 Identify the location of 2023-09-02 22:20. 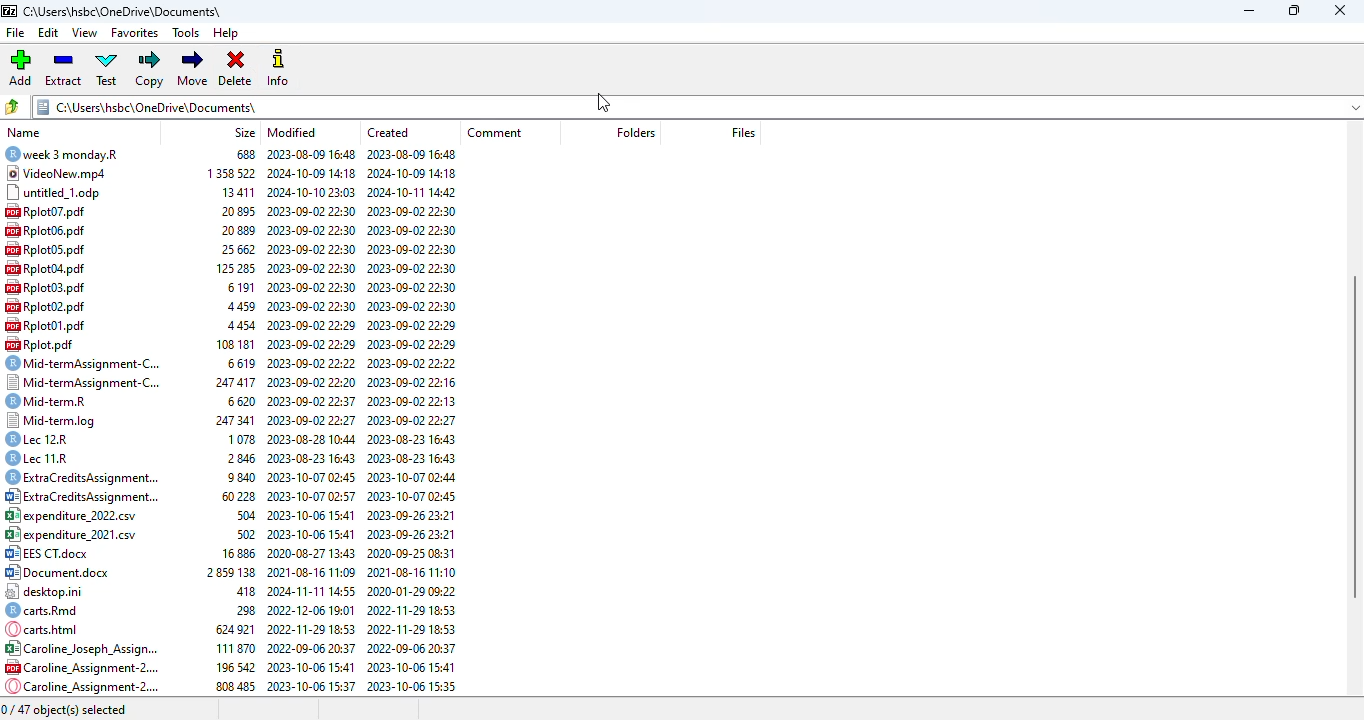
(318, 381).